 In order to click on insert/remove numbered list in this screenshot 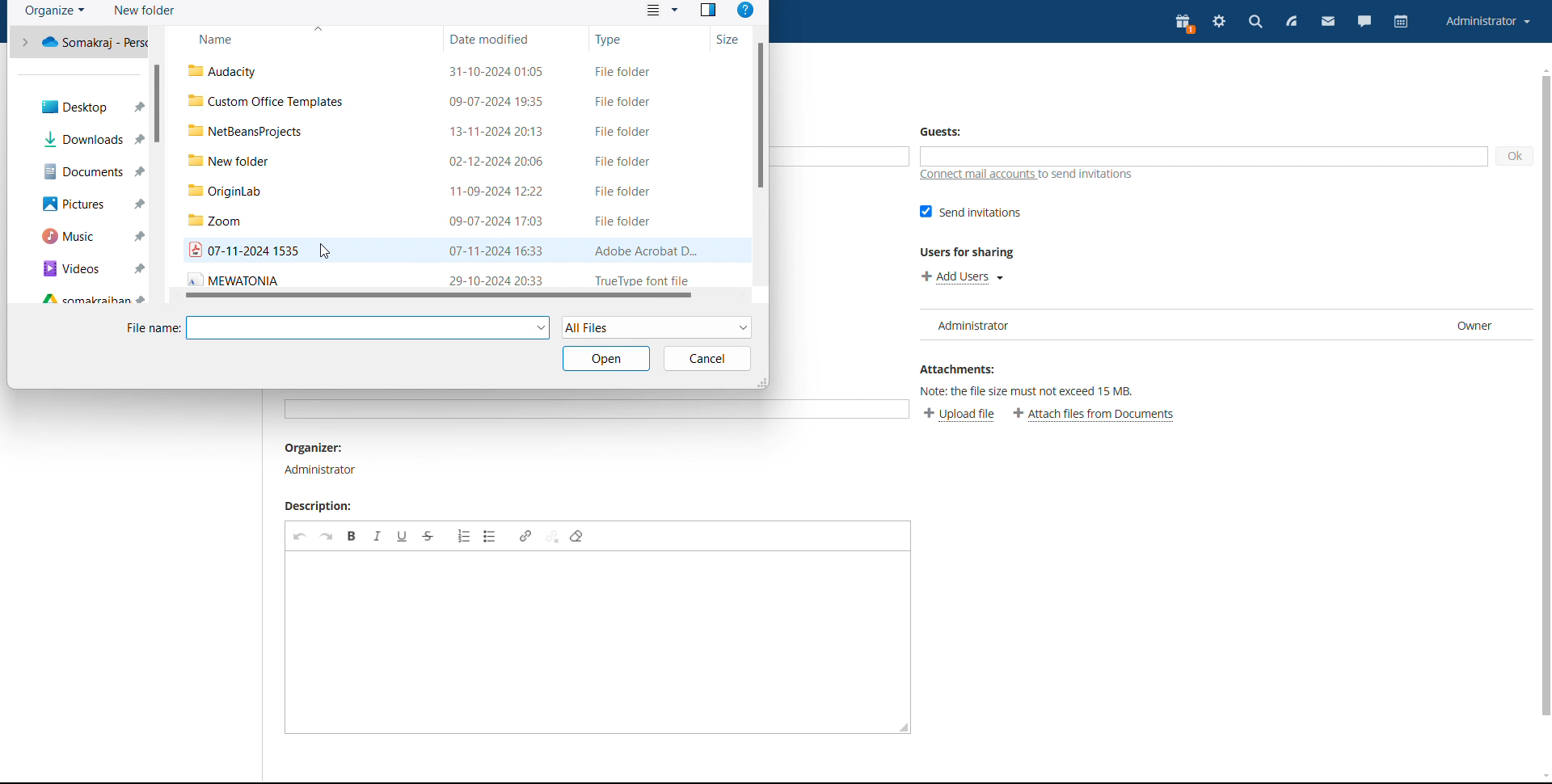, I will do `click(464, 536)`.